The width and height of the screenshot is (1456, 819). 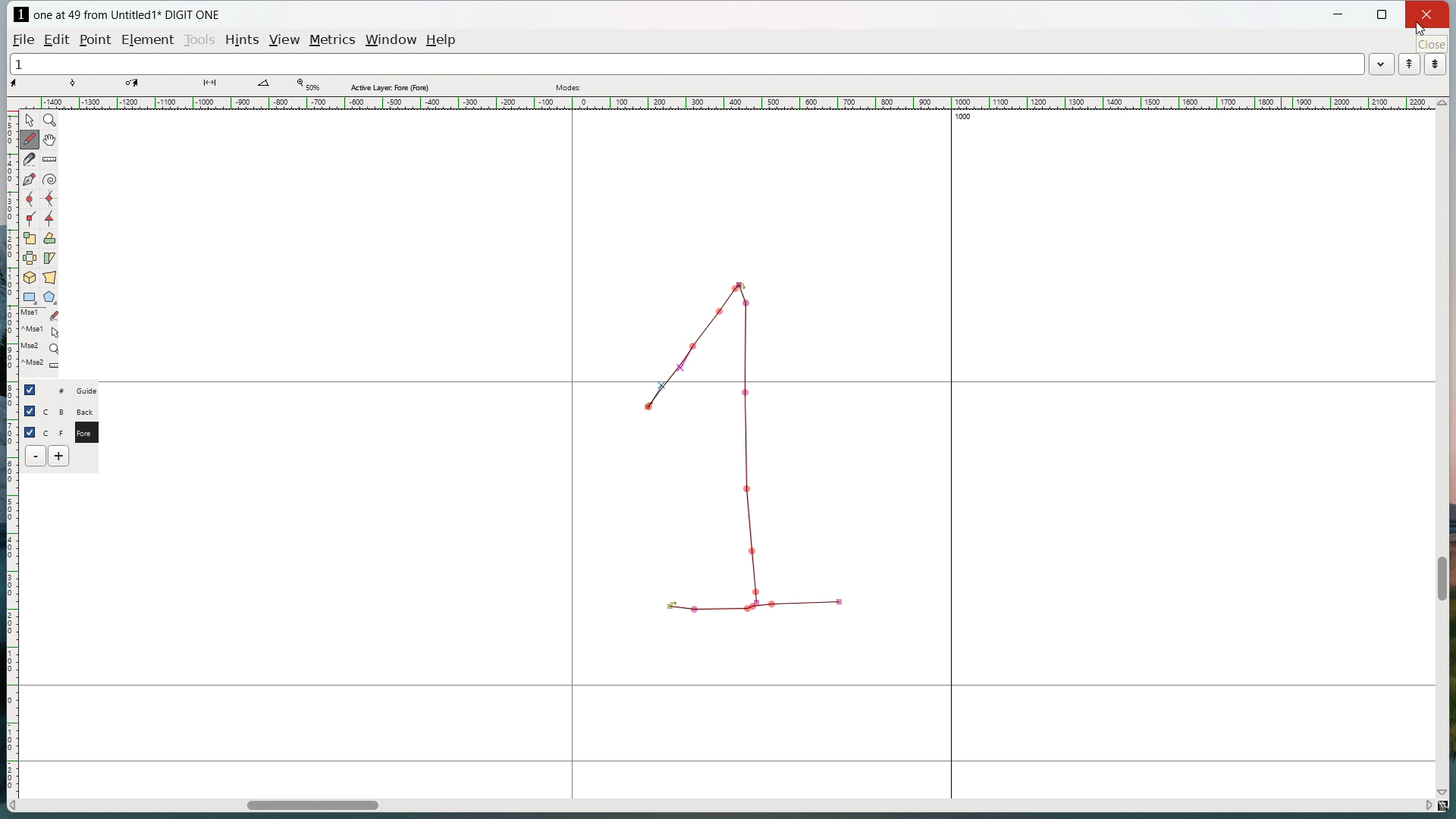 I want to click on # Guide, so click(x=72, y=390).